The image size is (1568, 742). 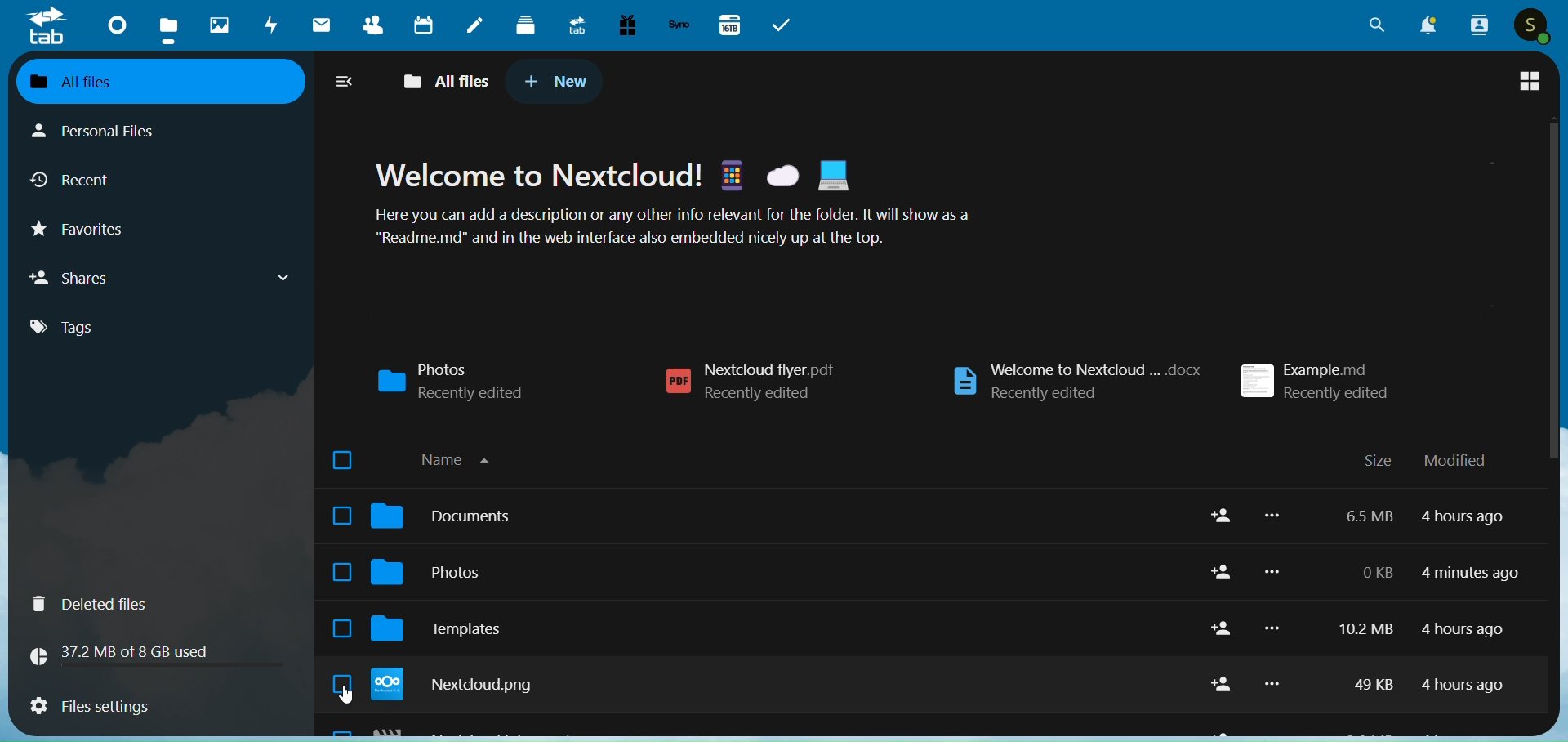 I want to click on 10.2MB 4 hours ago, so click(x=1422, y=629).